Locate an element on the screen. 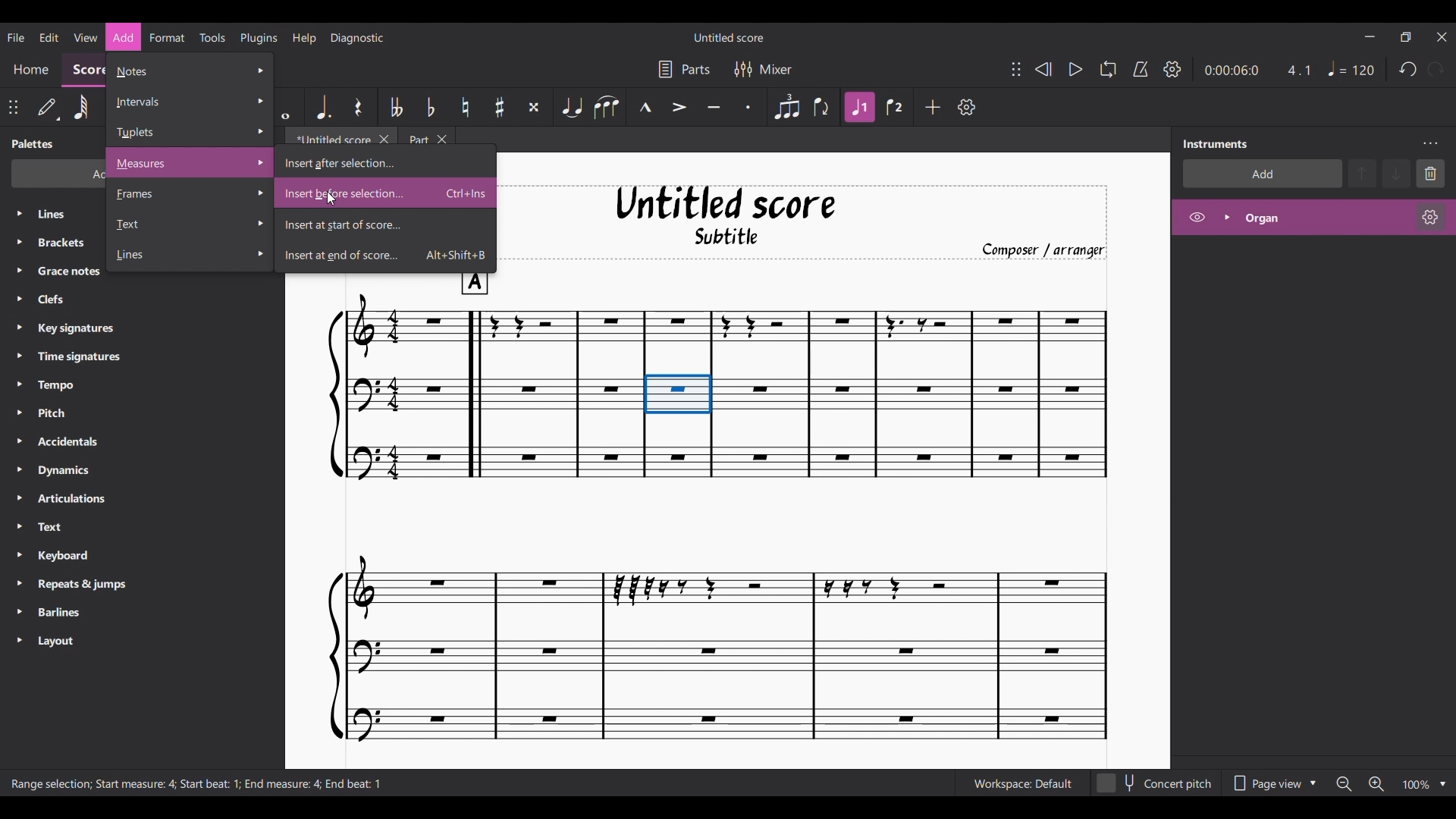 The image size is (1456, 819). Expand respective palette is located at coordinates (19, 427).